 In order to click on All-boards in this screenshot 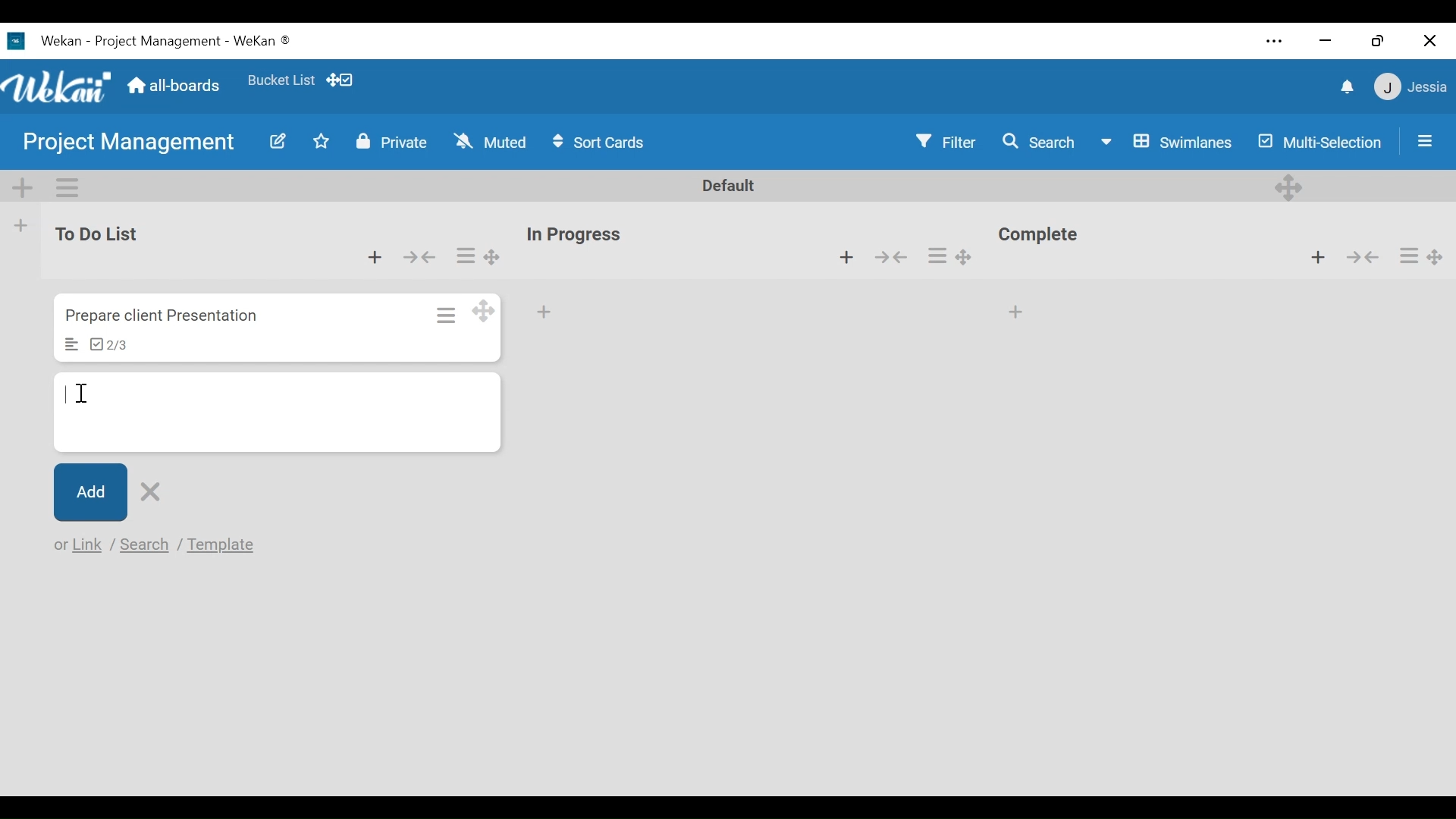, I will do `click(174, 86)`.